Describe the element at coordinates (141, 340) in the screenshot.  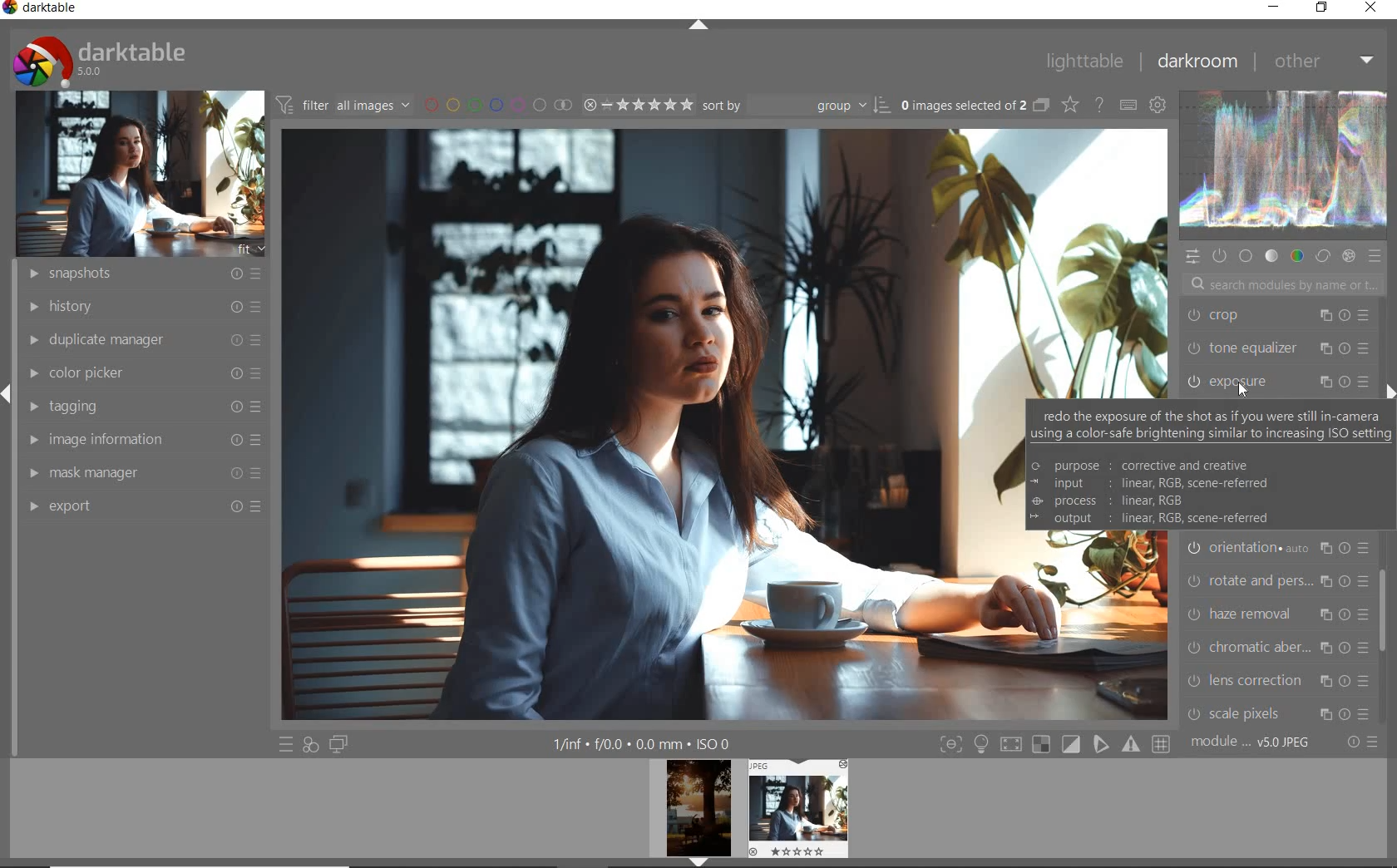
I see `DUPLICATE MANAGER` at that location.